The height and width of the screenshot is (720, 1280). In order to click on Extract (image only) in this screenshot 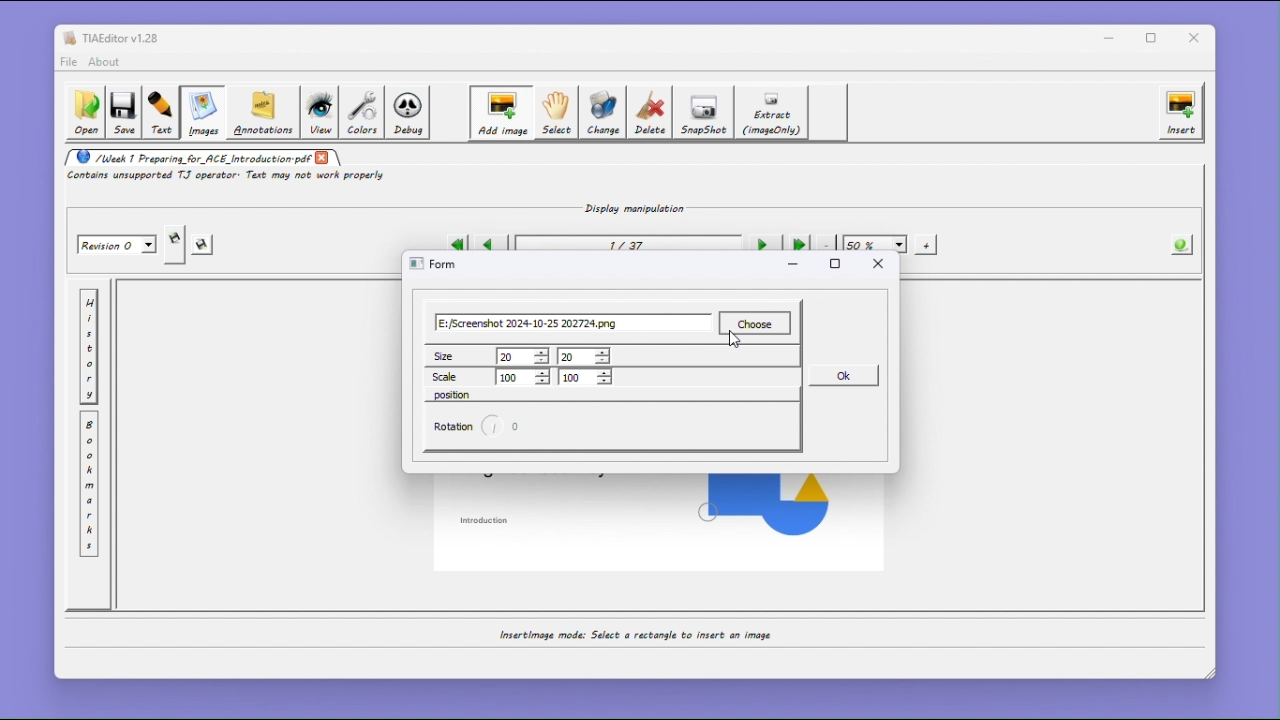, I will do `click(773, 113)`.